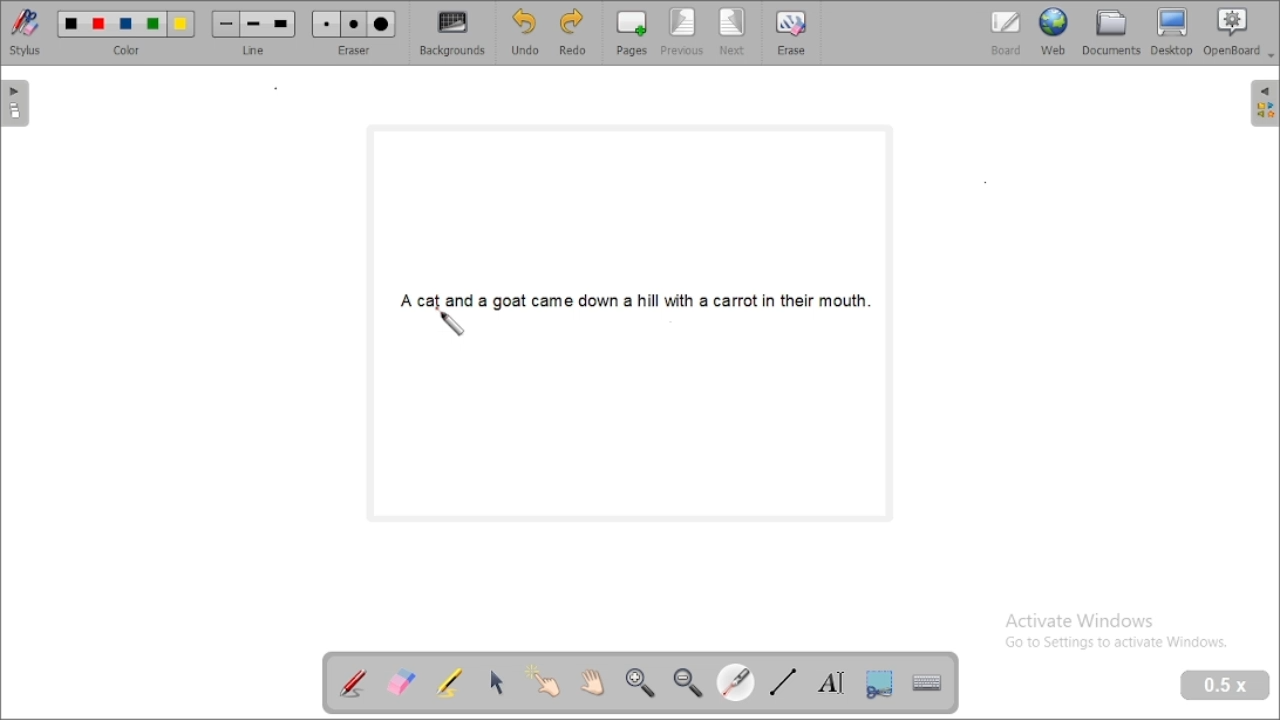 Image resolution: width=1280 pixels, height=720 pixels. I want to click on laser pointer, so click(450, 323).